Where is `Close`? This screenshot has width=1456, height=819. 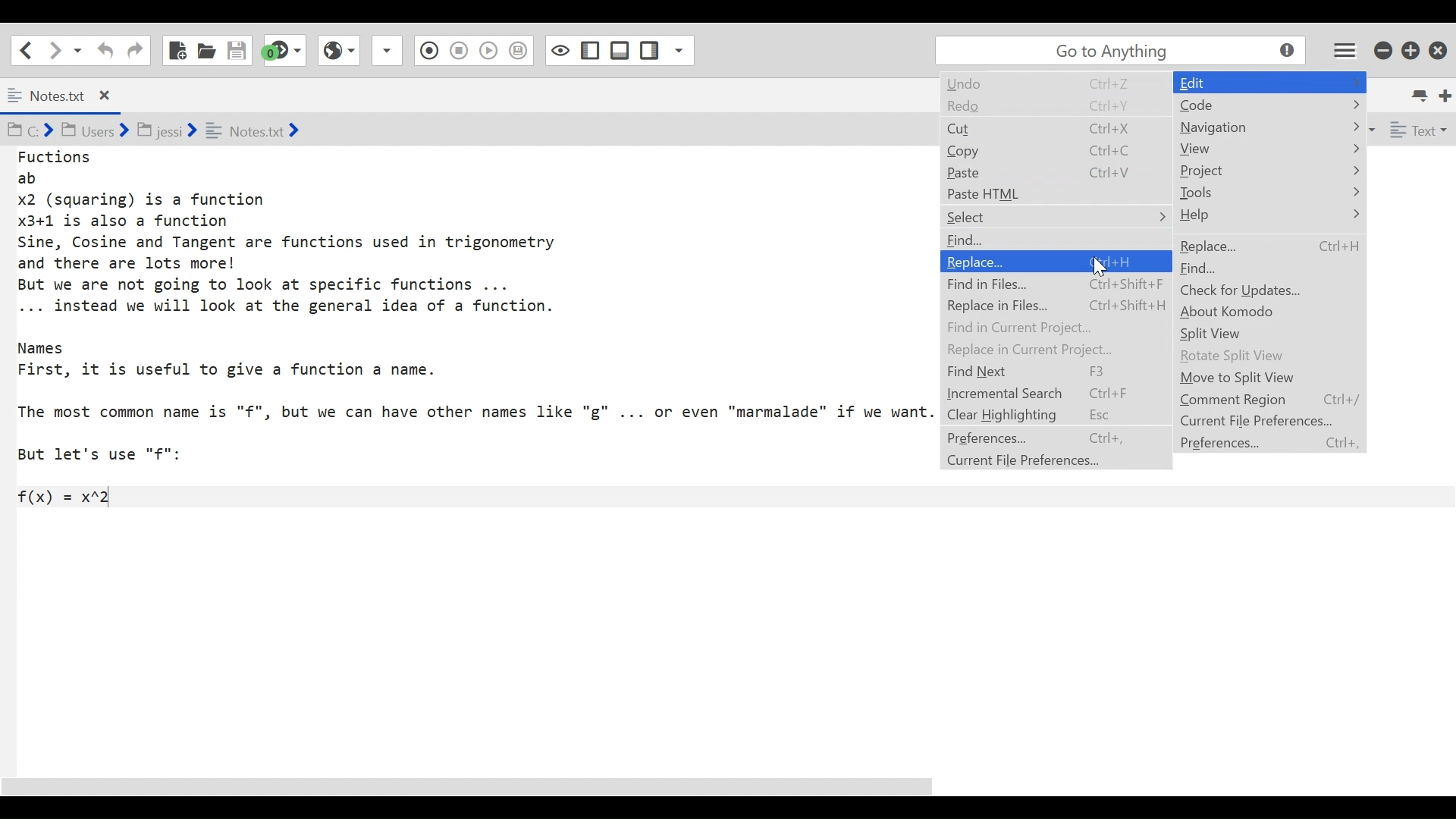 Close is located at coordinates (1440, 47).